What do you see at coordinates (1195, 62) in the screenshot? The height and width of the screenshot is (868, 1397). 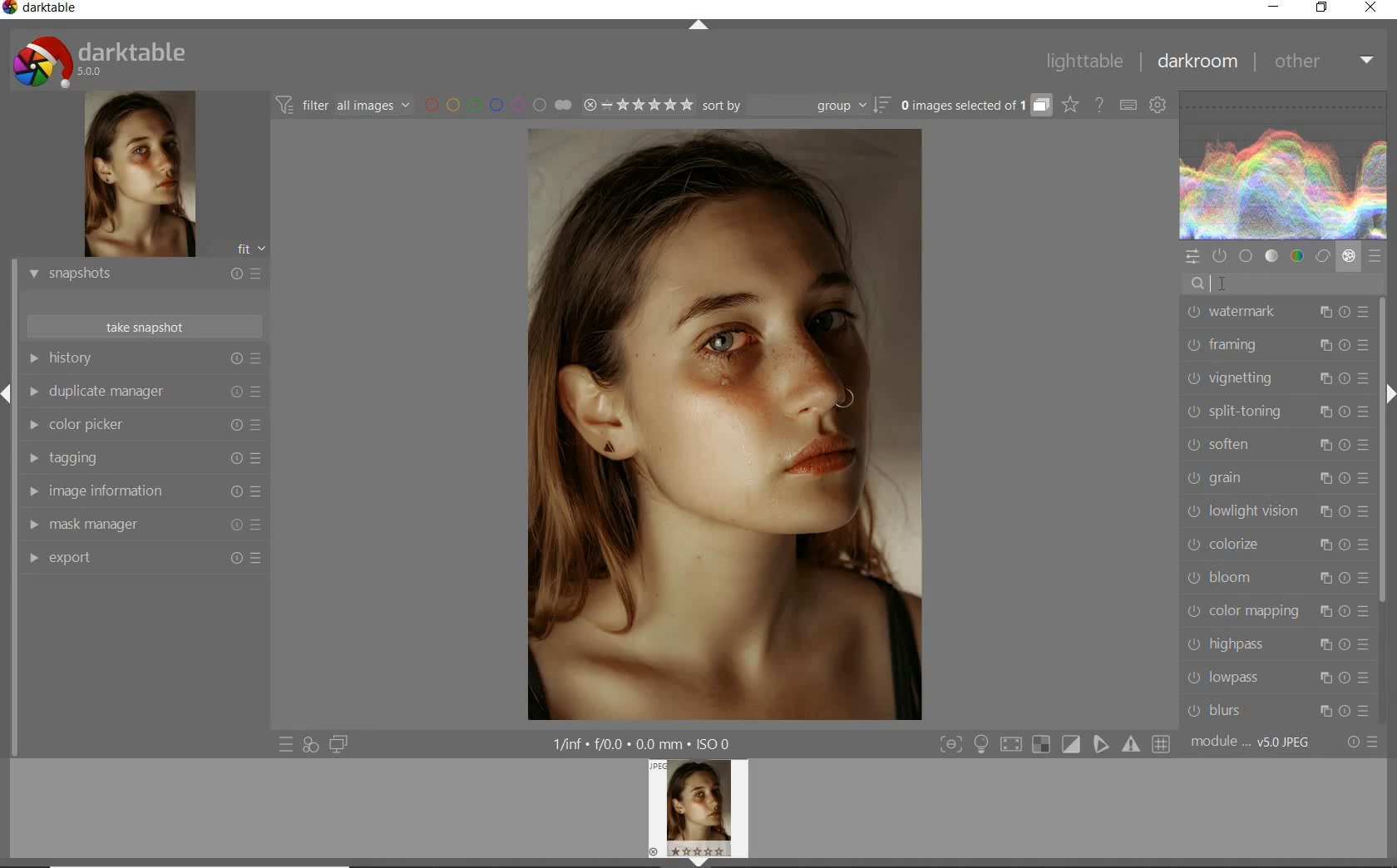 I see `darkroom` at bounding box center [1195, 62].